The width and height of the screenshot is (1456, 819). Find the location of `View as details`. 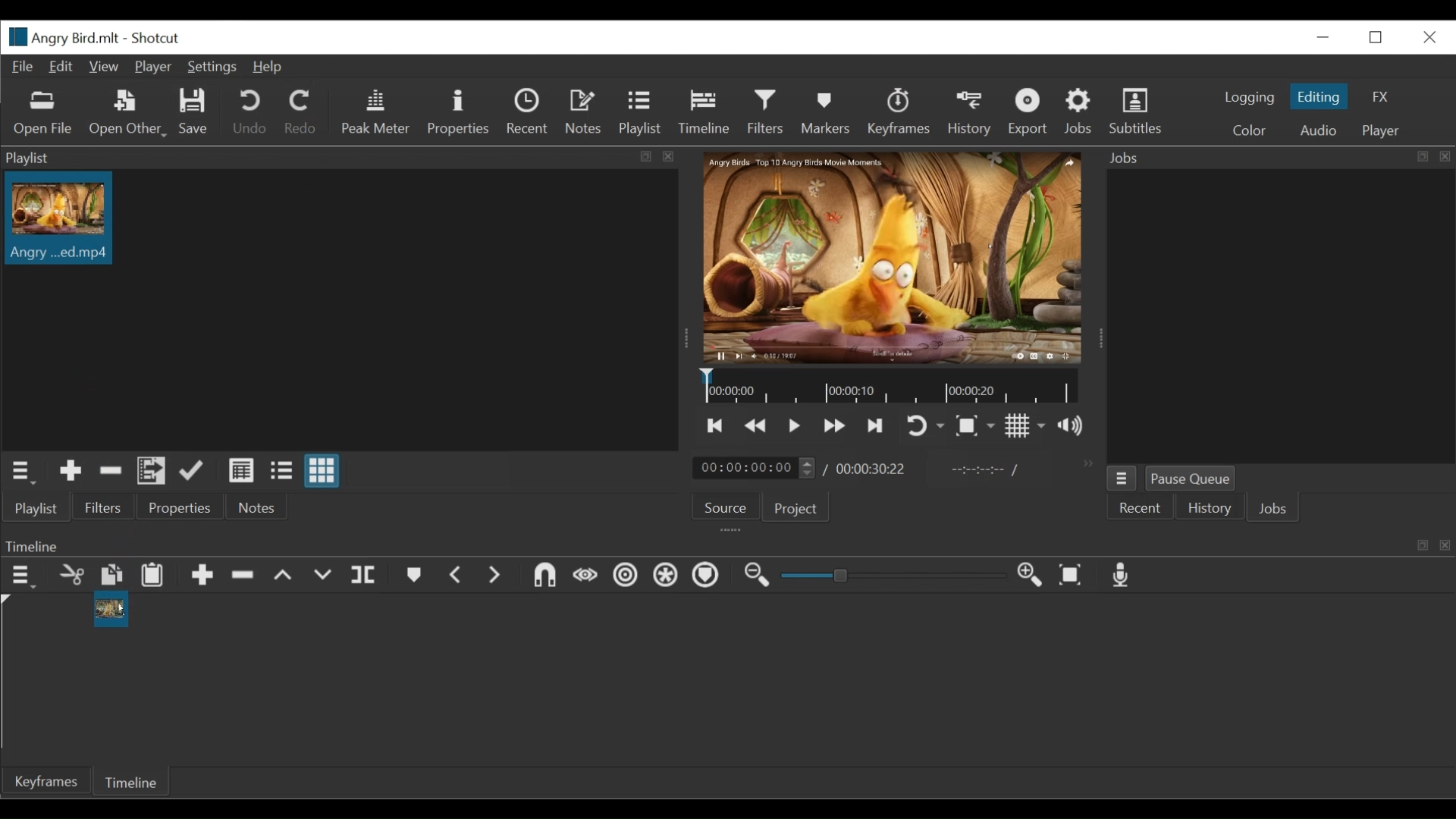

View as details is located at coordinates (242, 470).